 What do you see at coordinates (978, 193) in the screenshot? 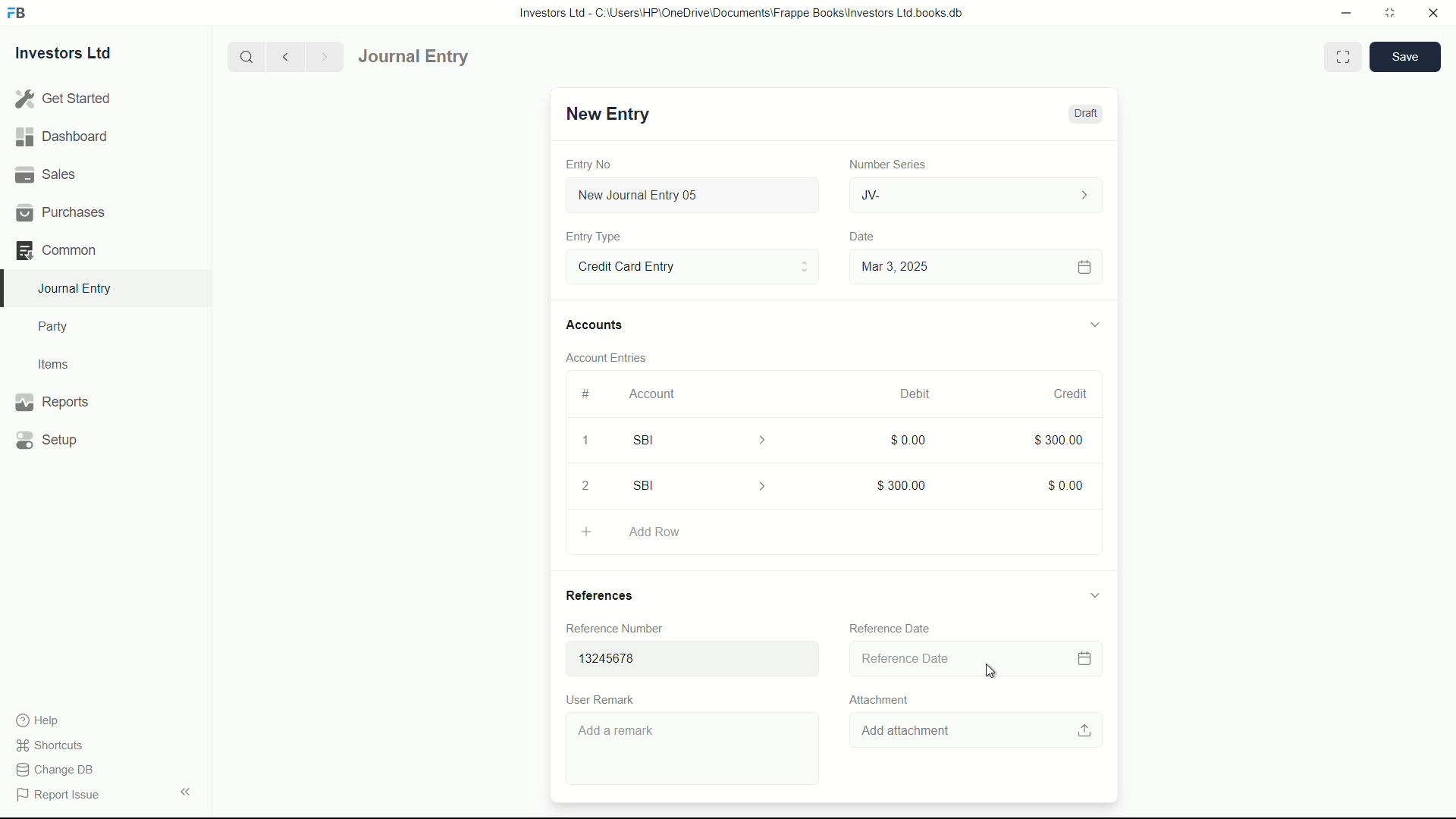
I see `JV` at bounding box center [978, 193].